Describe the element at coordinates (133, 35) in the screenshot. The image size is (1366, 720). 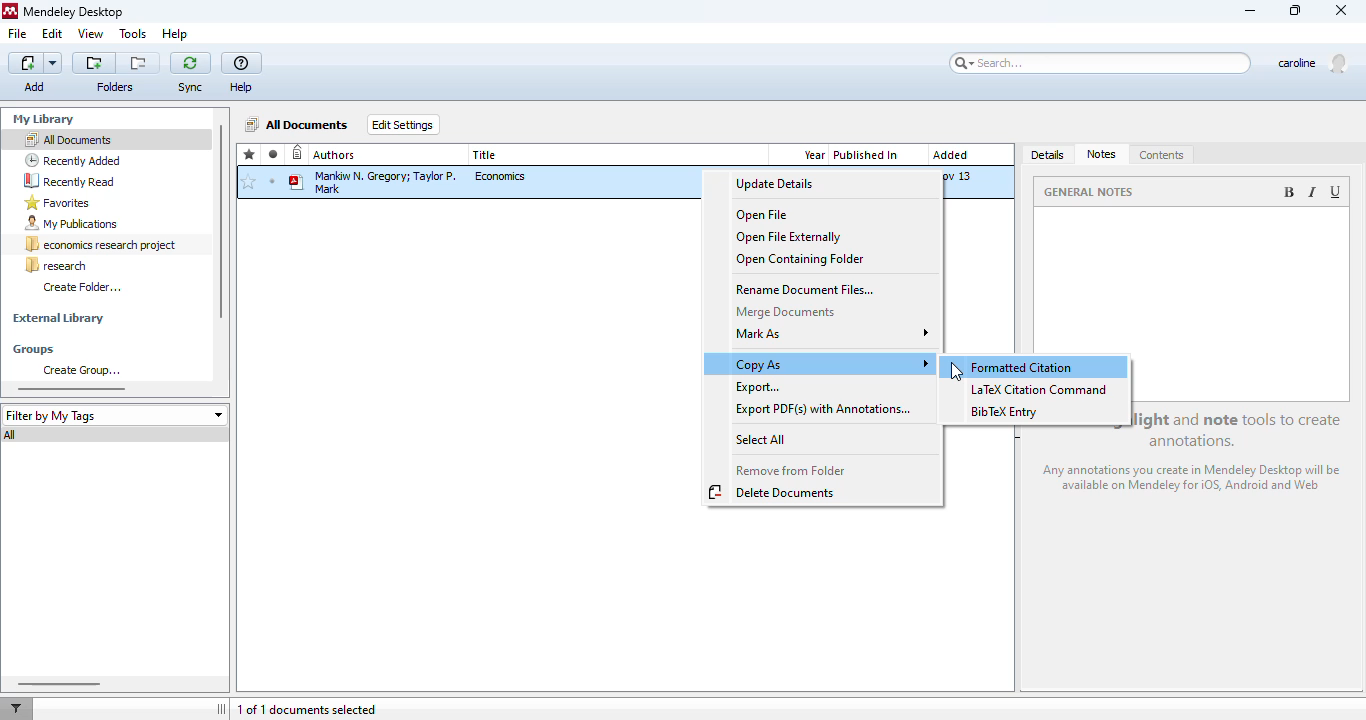
I see `tools` at that location.